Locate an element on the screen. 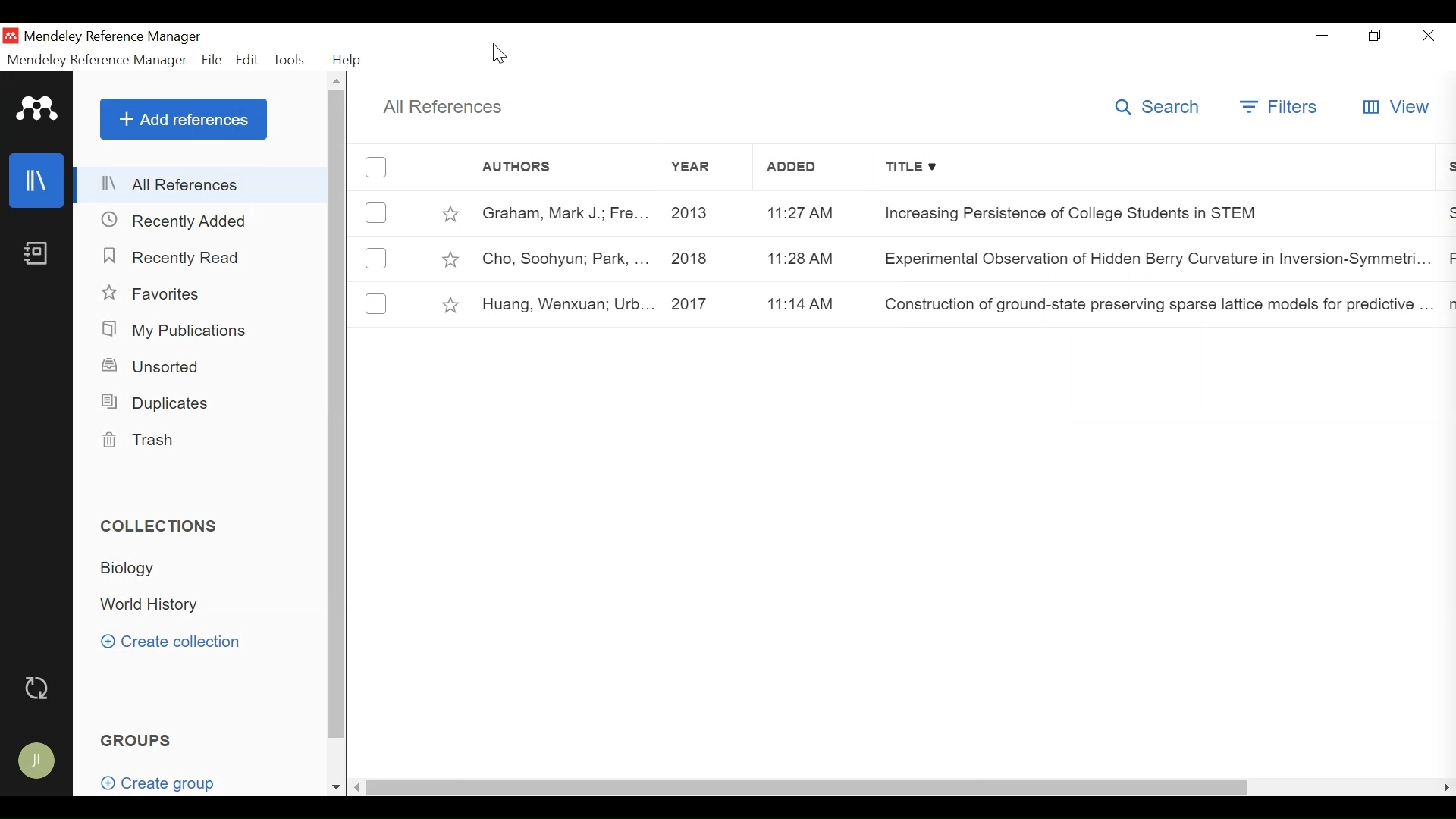  Mendeley Desktop Icon is located at coordinates (10, 36).